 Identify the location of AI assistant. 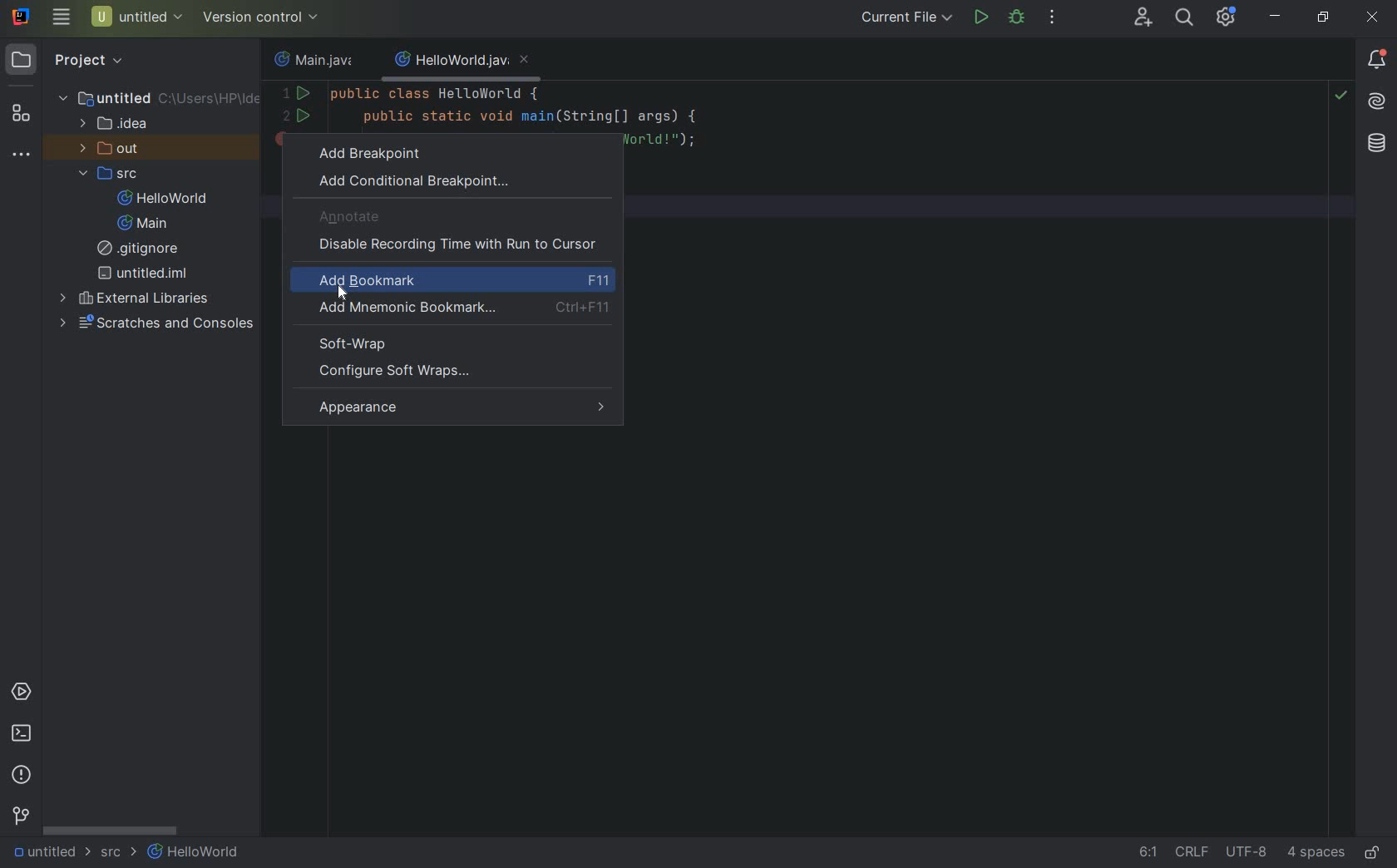
(1377, 104).